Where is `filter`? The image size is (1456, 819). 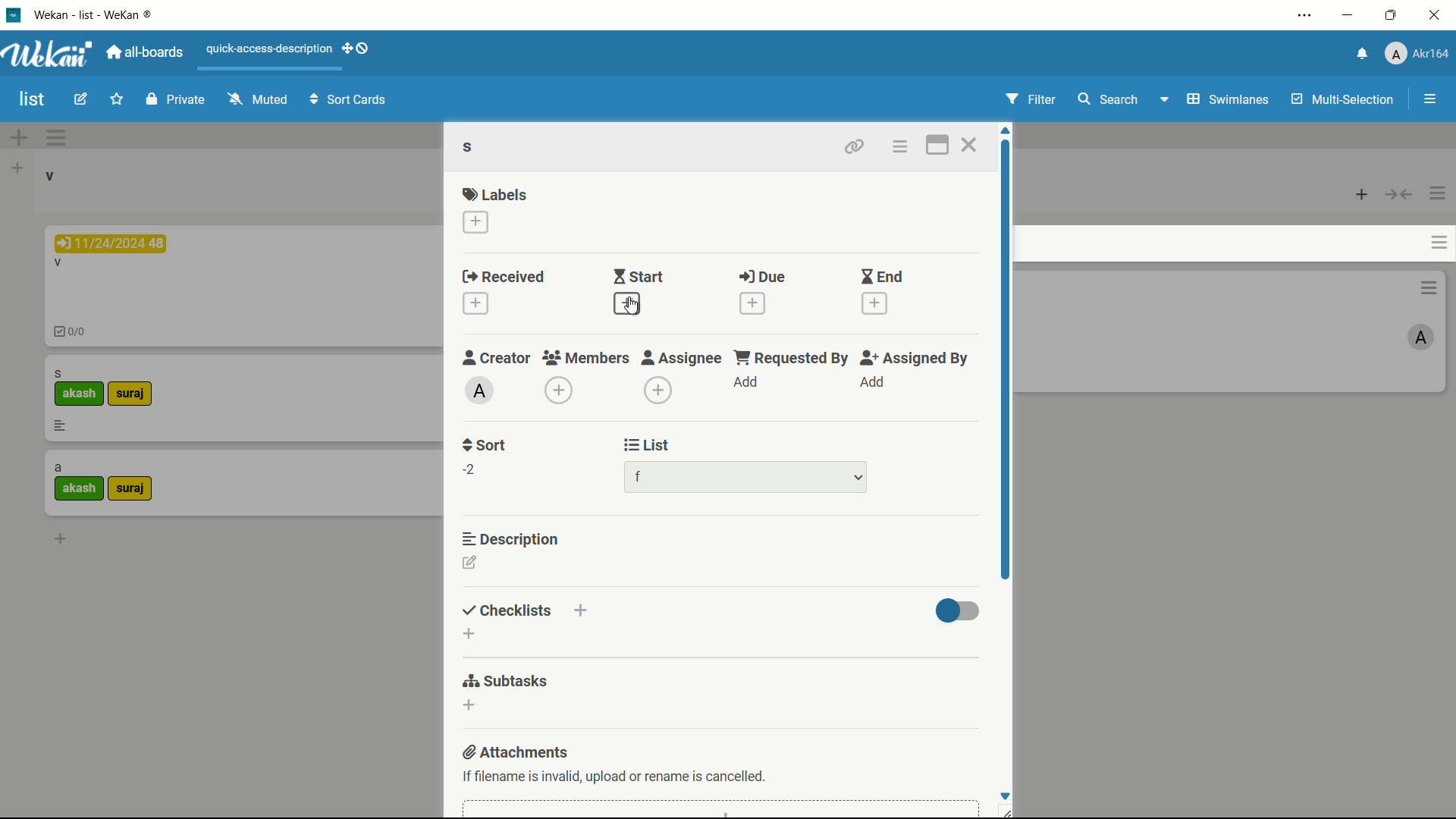
filter is located at coordinates (1034, 99).